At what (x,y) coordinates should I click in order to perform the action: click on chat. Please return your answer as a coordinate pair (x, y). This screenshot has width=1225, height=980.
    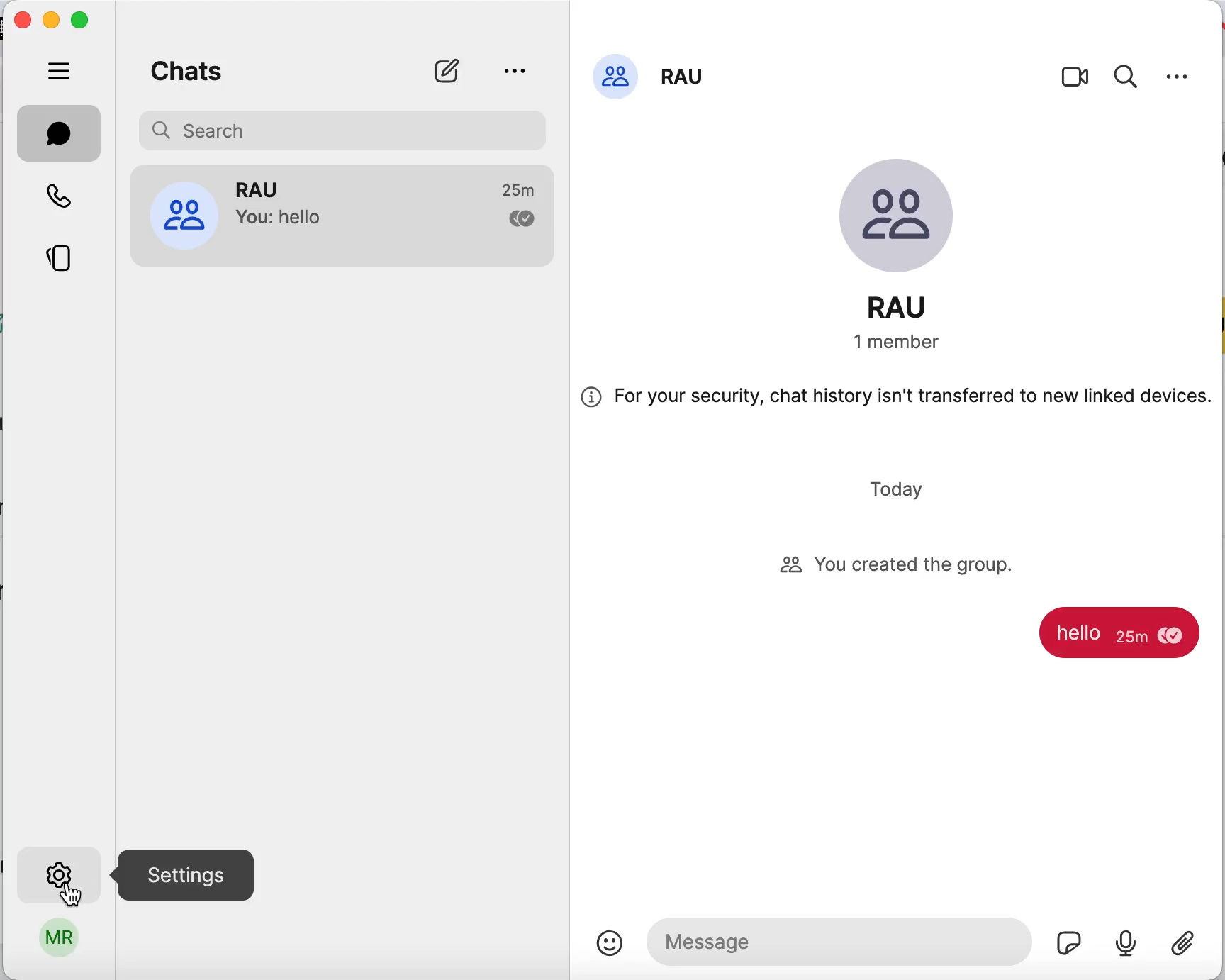
    Looking at the image, I should click on (60, 133).